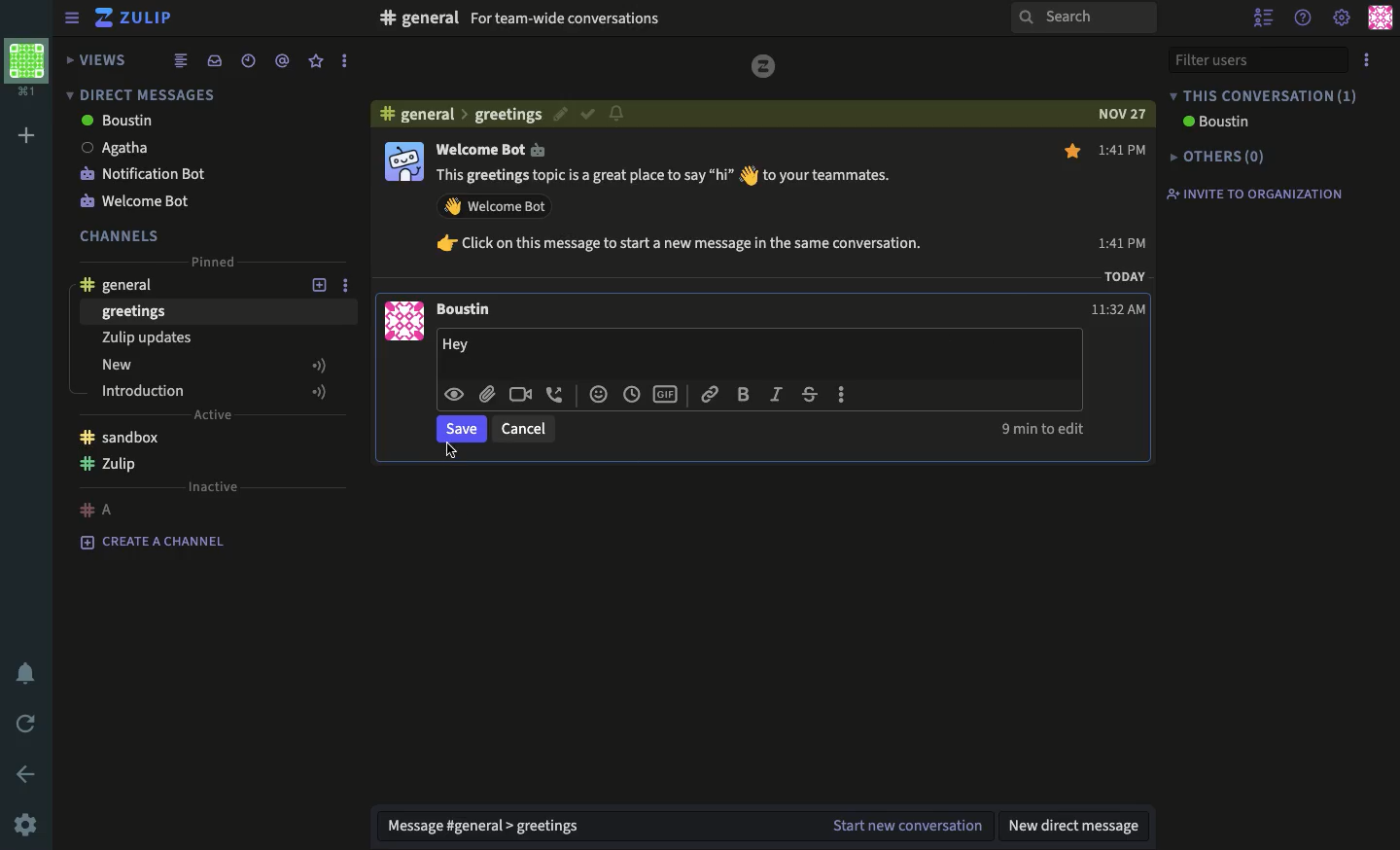 The width and height of the screenshot is (1400, 850). I want to click on combined feed, so click(181, 61).